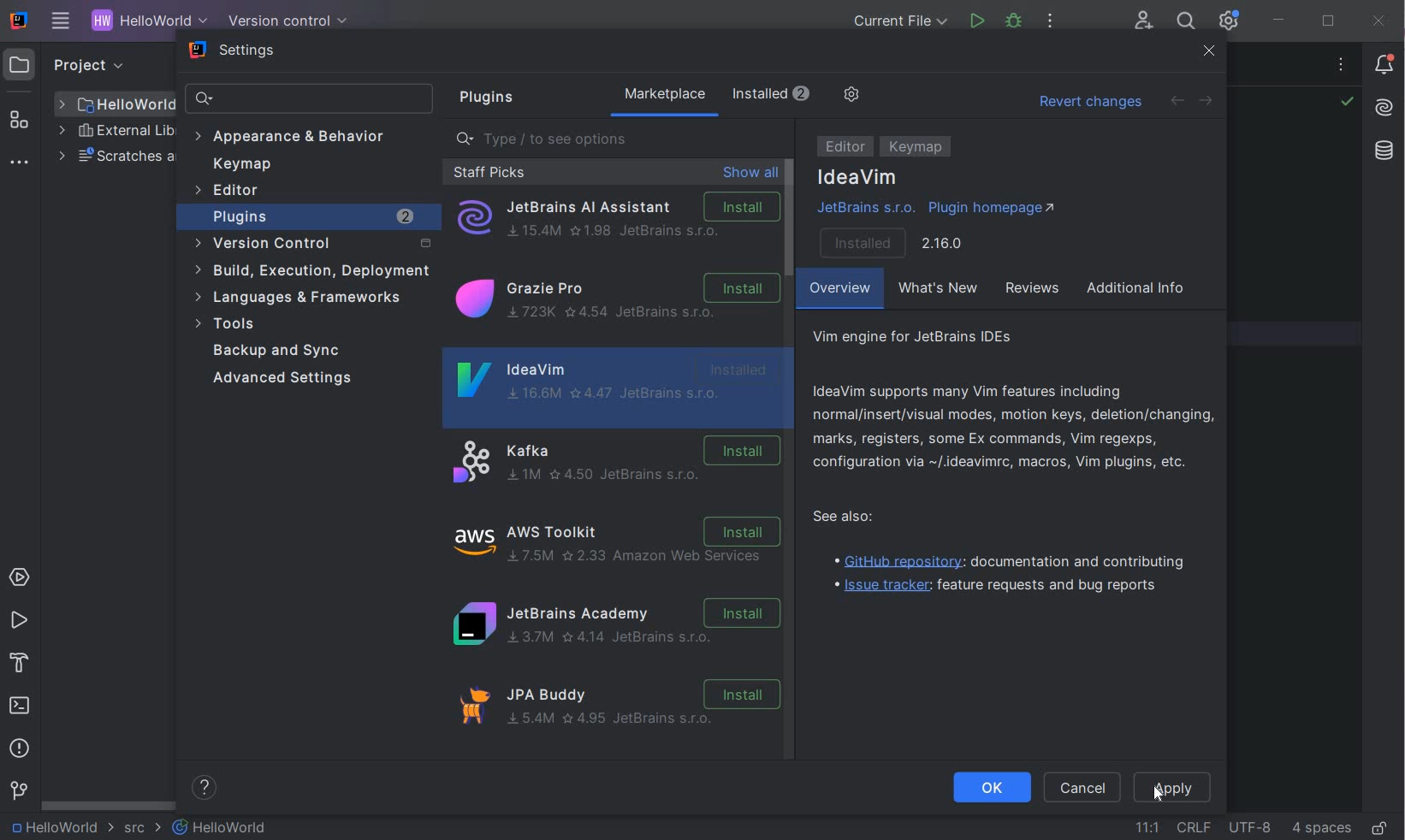 Image resolution: width=1405 pixels, height=840 pixels. Describe the element at coordinates (289, 379) in the screenshot. I see `advanced settings` at that location.